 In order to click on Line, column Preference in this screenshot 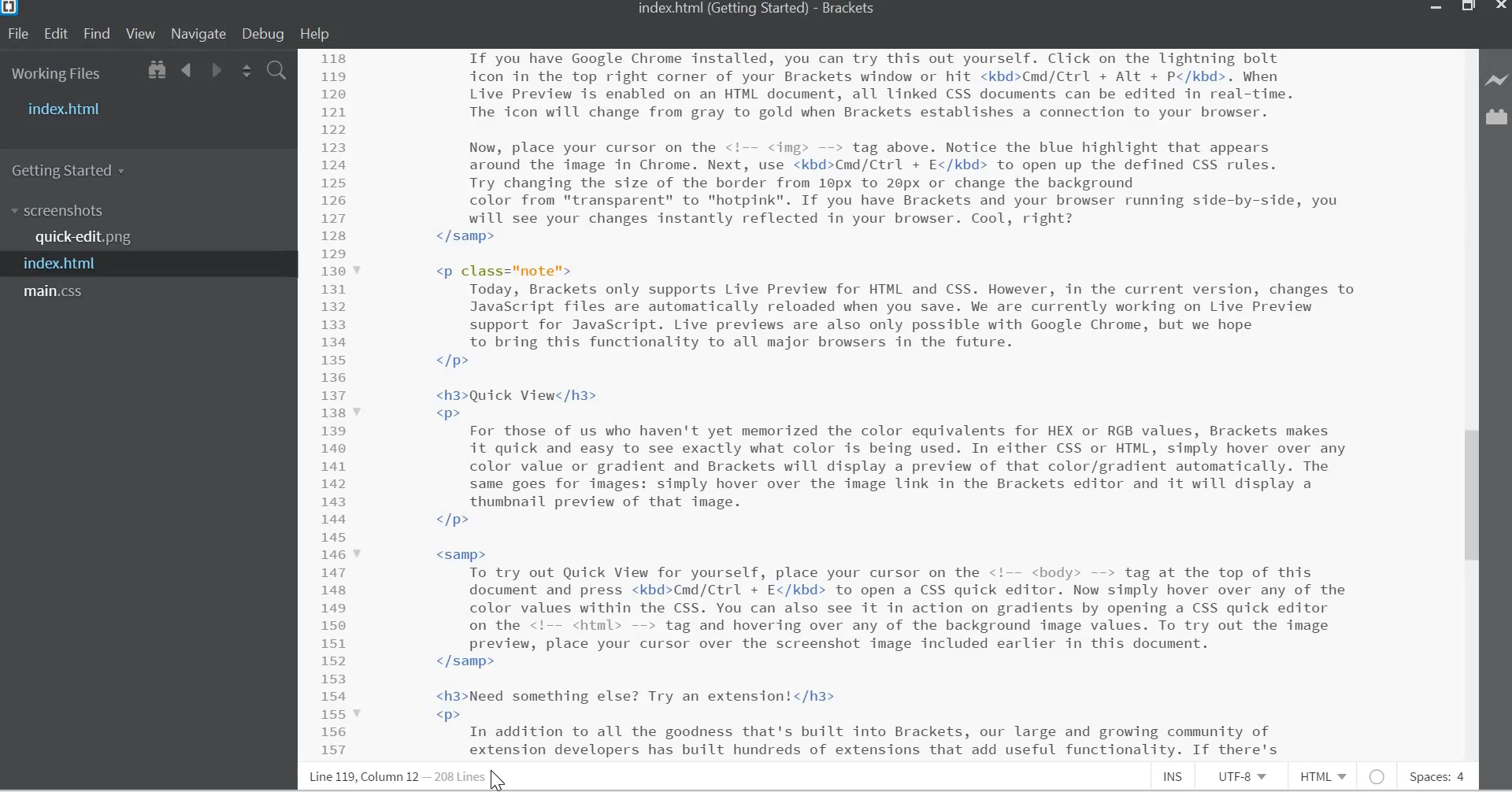, I will do `click(361, 777)`.